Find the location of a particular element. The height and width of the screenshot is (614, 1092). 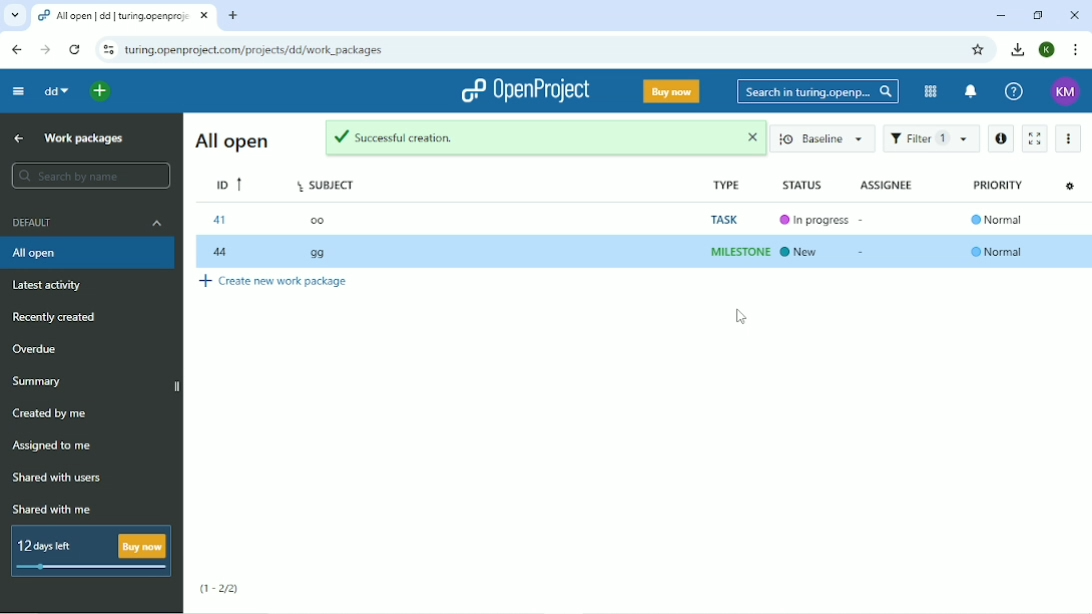

Latest activity is located at coordinates (53, 286).